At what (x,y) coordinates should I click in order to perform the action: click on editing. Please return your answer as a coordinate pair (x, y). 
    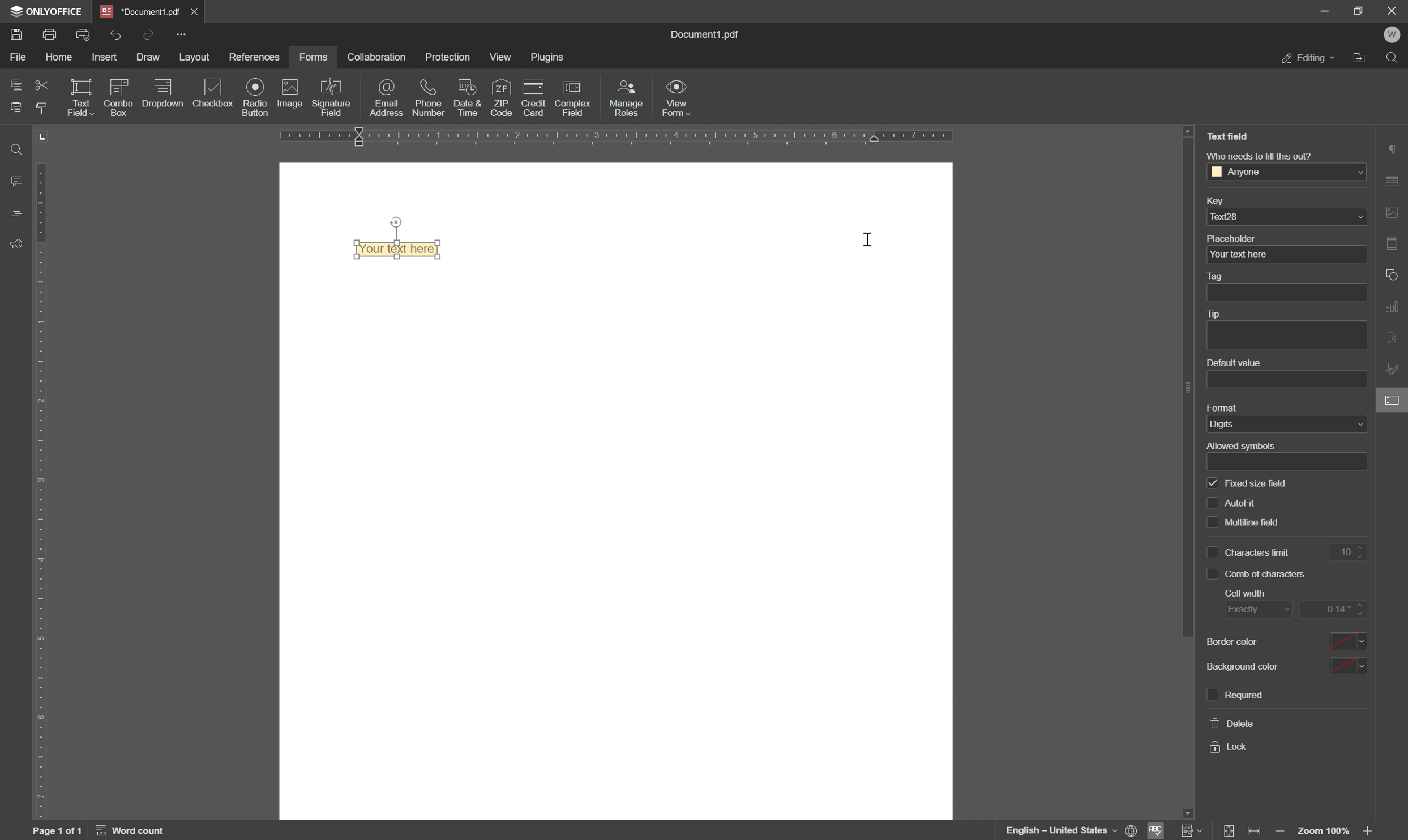
    Looking at the image, I should click on (1308, 59).